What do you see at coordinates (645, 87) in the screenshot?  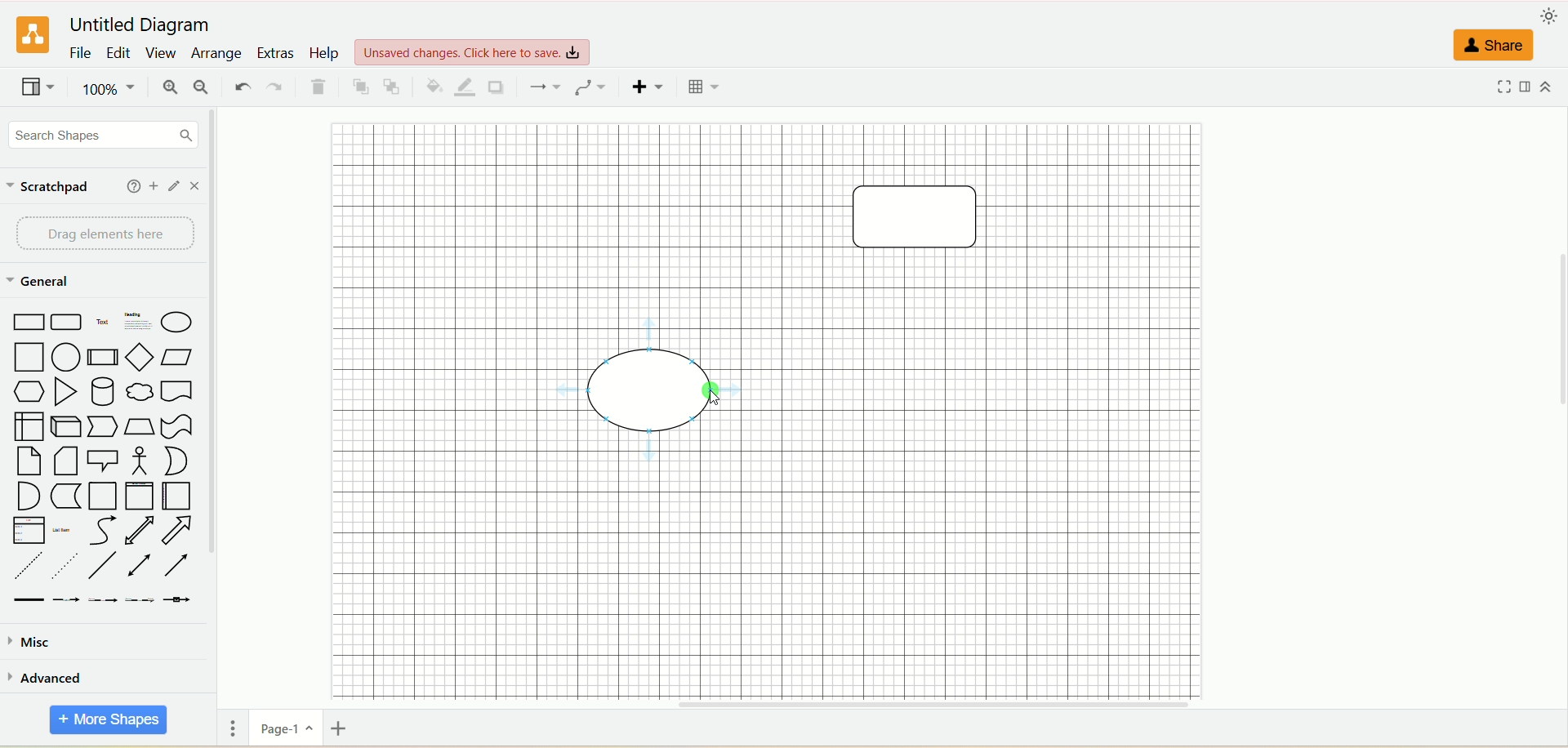 I see `insert` at bounding box center [645, 87].